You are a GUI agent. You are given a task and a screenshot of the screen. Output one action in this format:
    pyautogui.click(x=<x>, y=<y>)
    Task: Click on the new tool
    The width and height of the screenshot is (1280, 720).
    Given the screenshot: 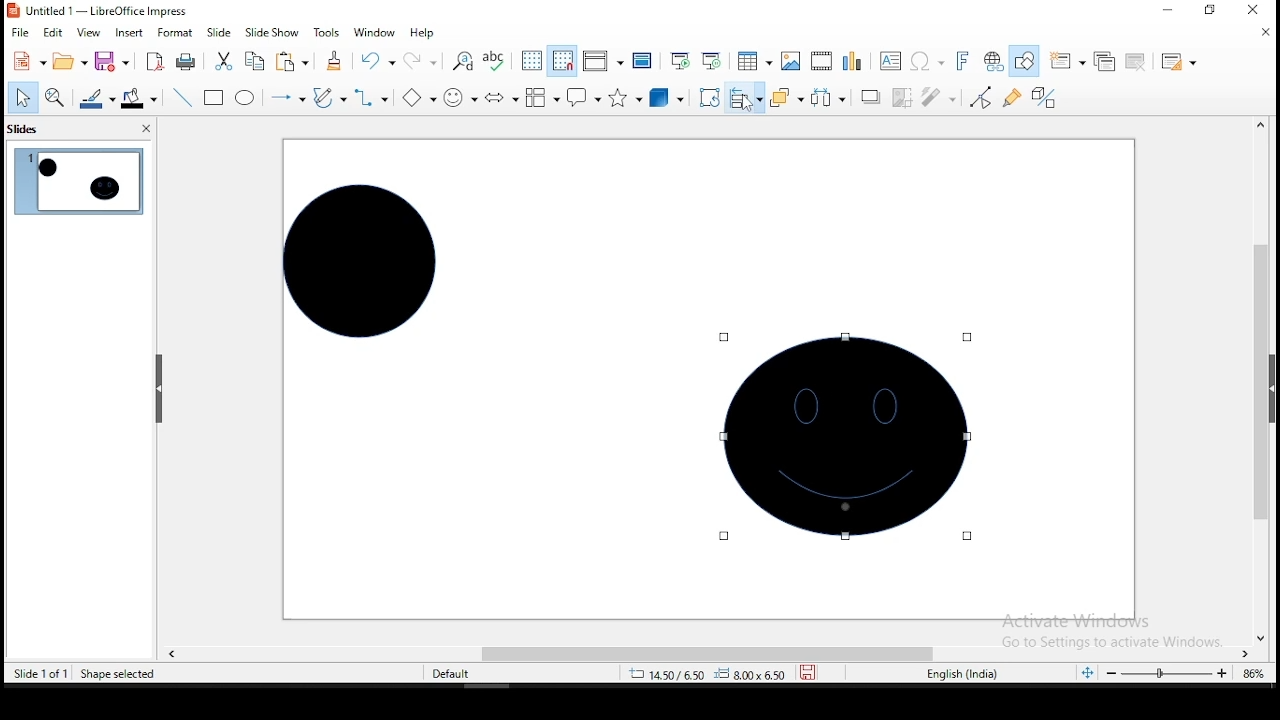 What is the action you would take?
    pyautogui.click(x=28, y=60)
    